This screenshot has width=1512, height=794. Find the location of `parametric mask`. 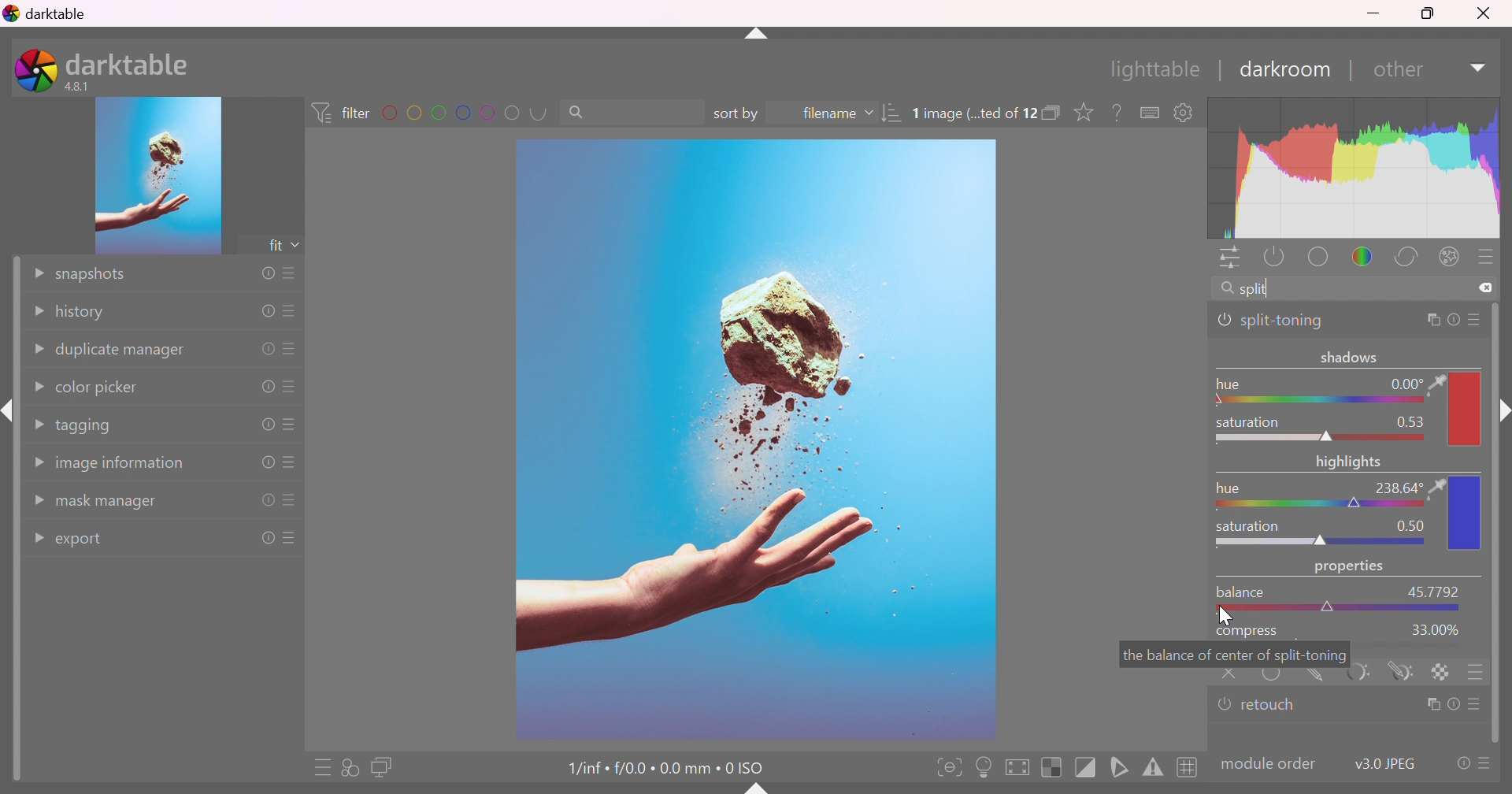

parametric mask is located at coordinates (1361, 674).